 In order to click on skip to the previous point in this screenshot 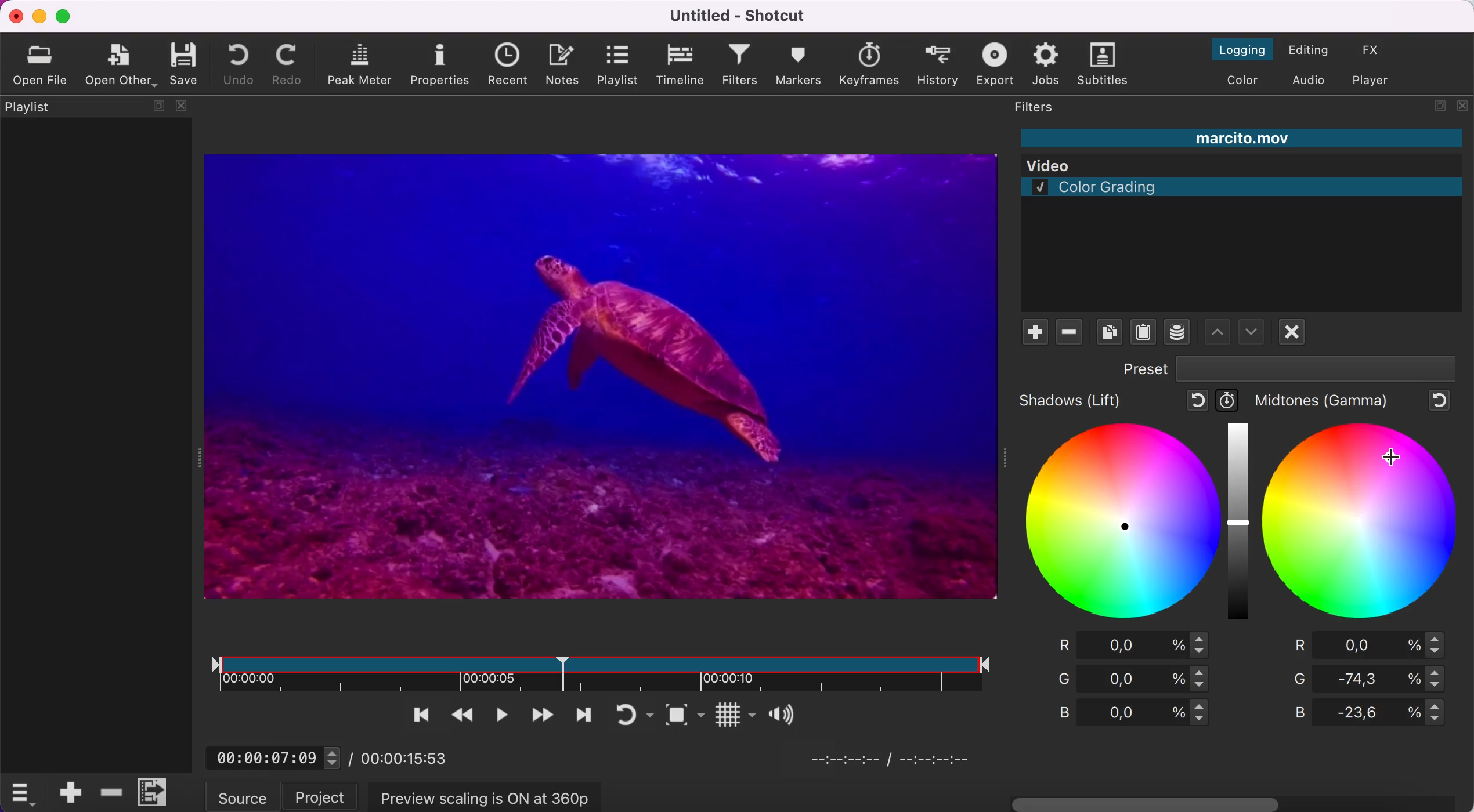, I will do `click(414, 715)`.